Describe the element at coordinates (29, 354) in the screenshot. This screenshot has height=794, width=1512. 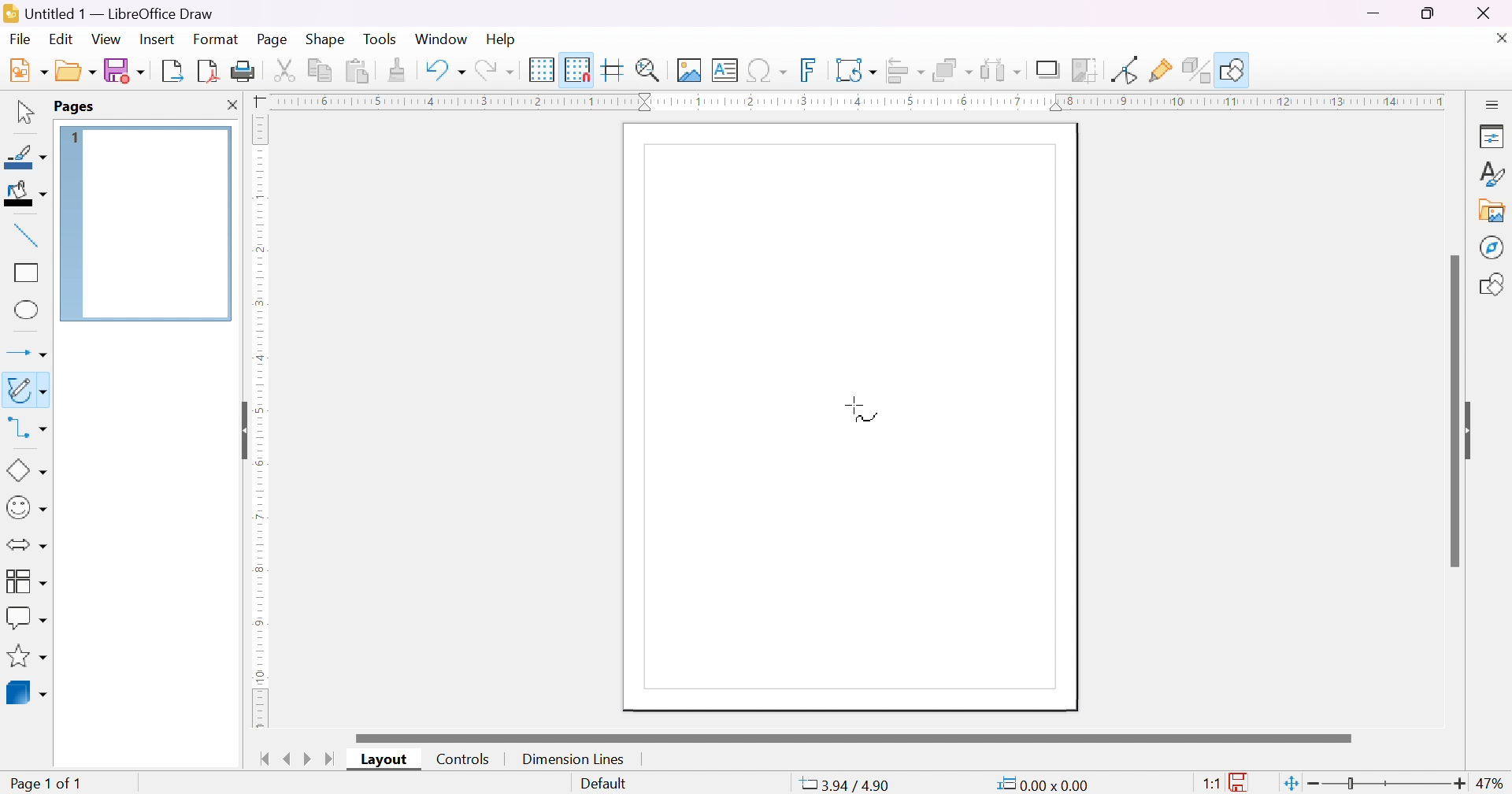
I see `lines and arrows` at that location.